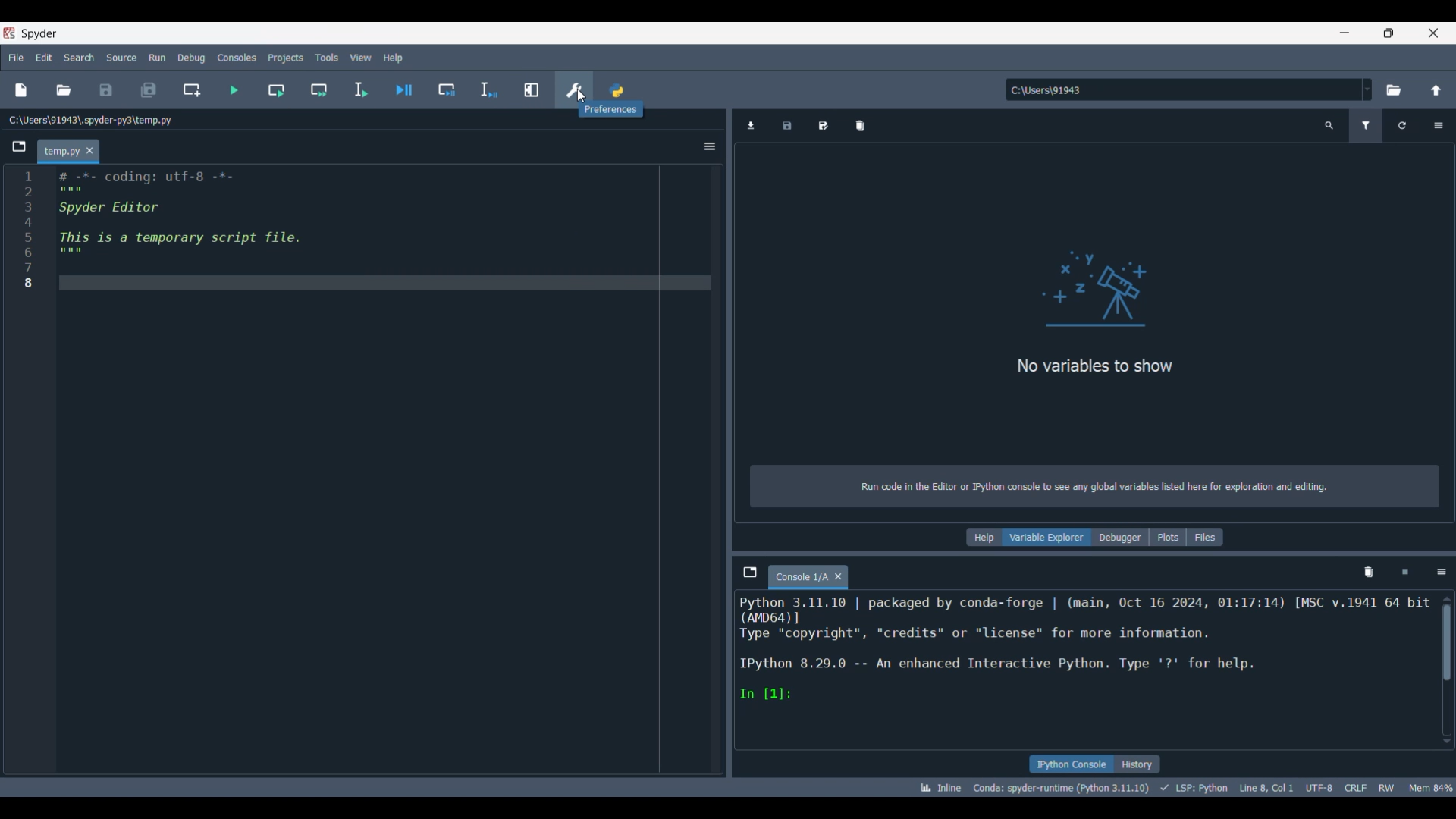  Describe the element at coordinates (489, 90) in the screenshot. I see `Debug selection/current line` at that location.